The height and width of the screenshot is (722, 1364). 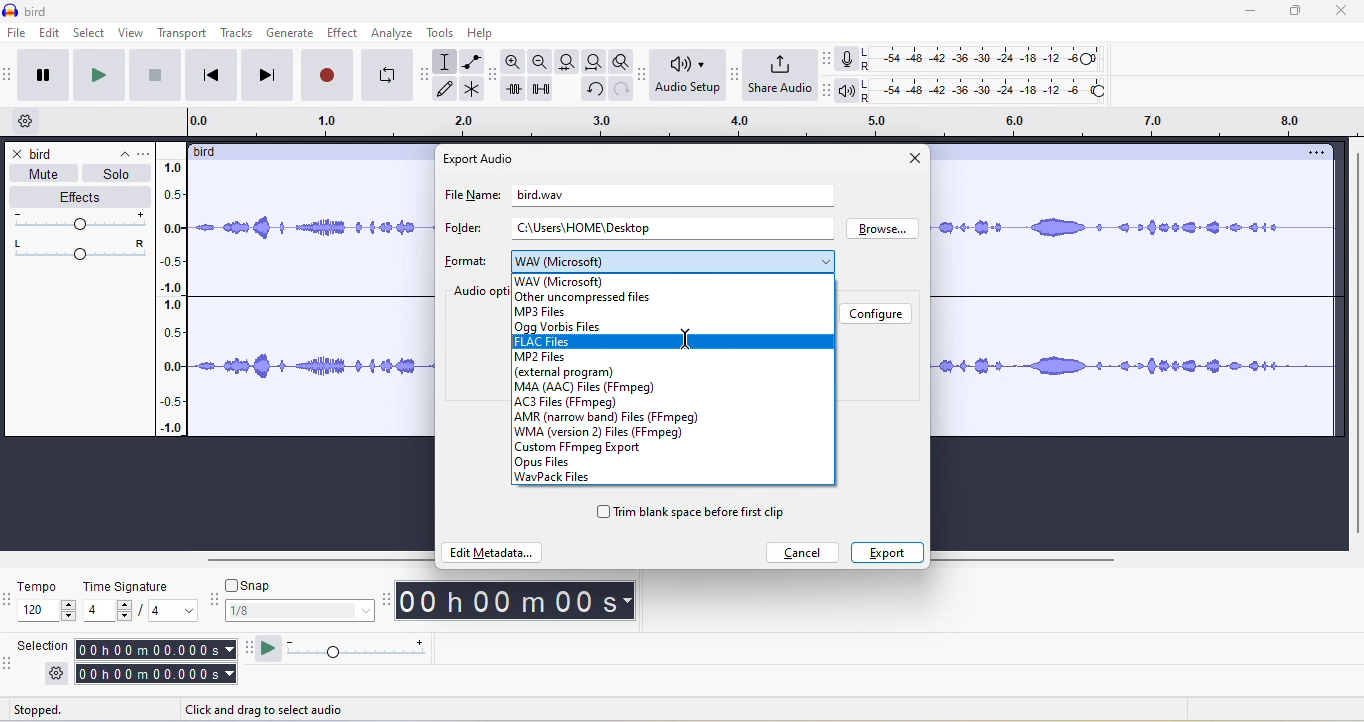 I want to click on selection tool, so click(x=447, y=61).